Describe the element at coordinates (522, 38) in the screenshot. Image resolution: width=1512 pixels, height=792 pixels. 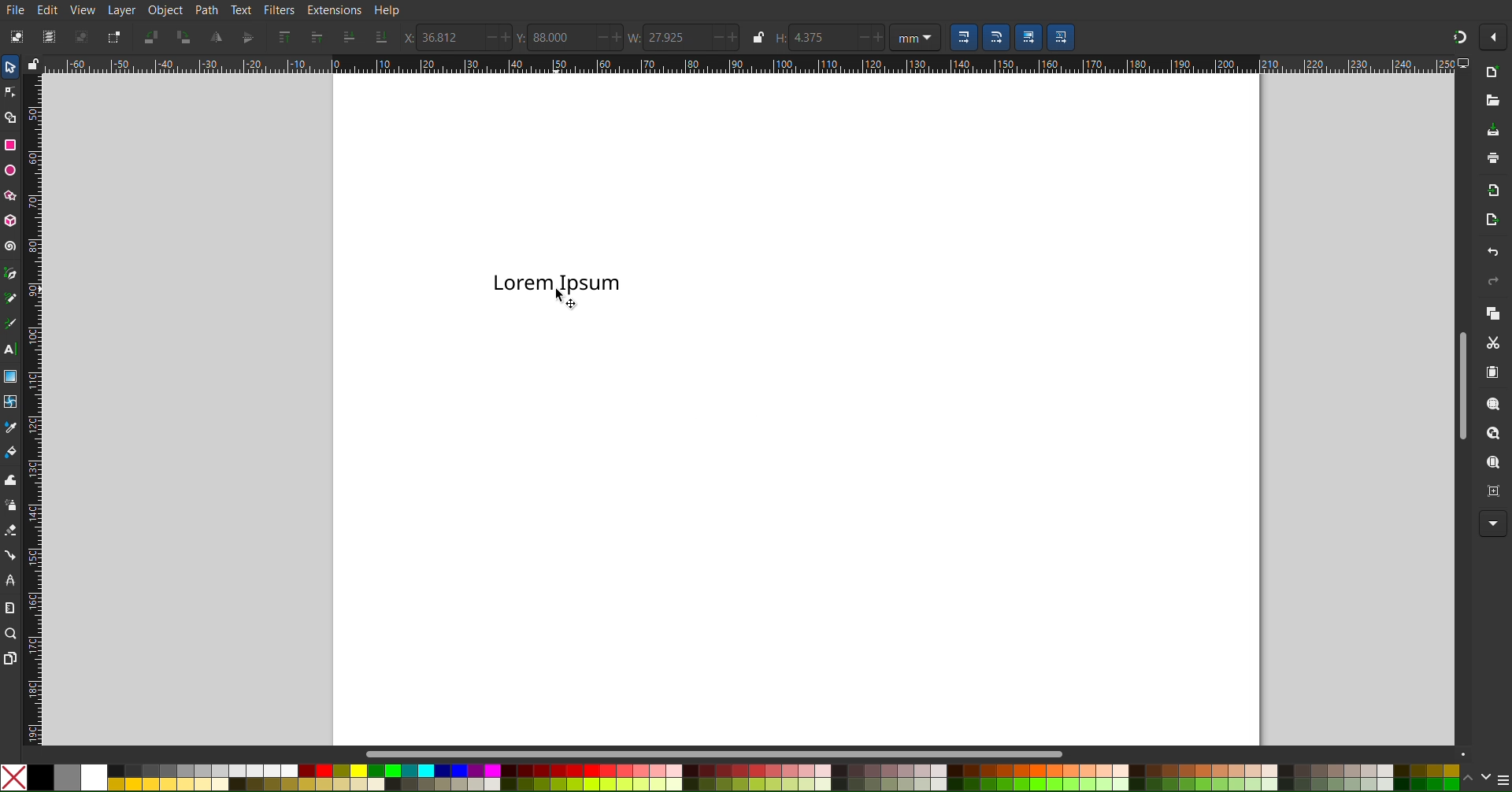
I see `Y Coordinates` at that location.